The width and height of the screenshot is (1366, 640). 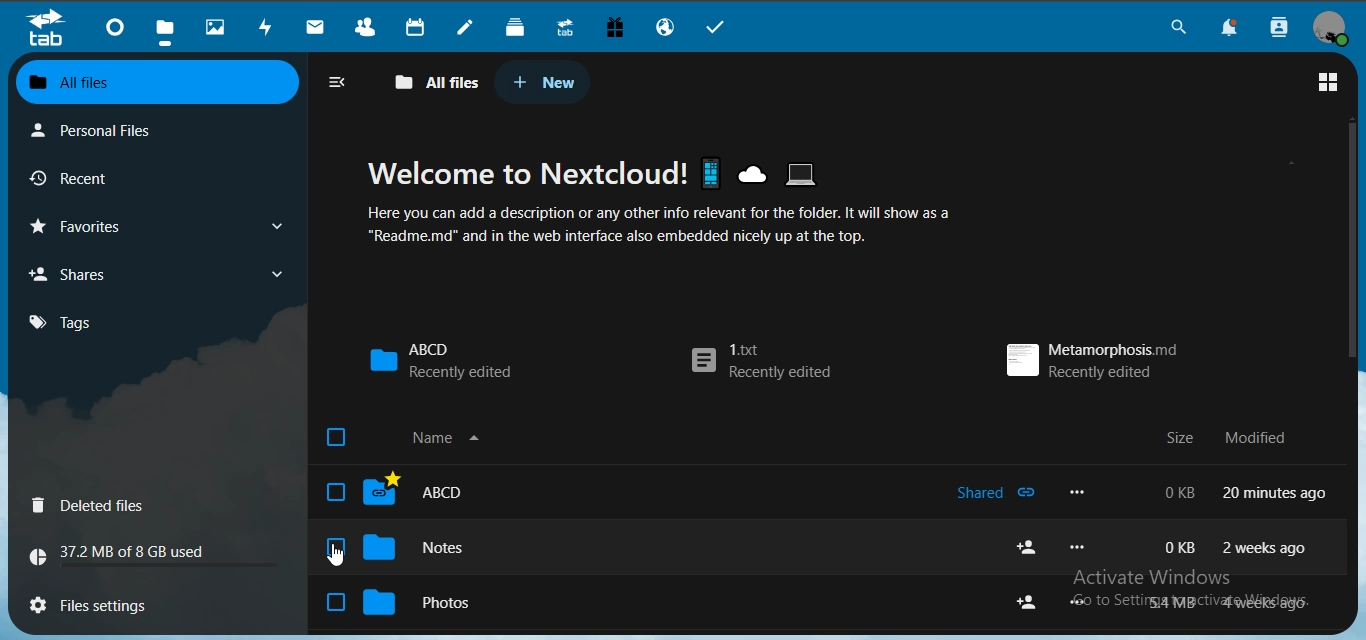 I want to click on more options, so click(x=1082, y=546).